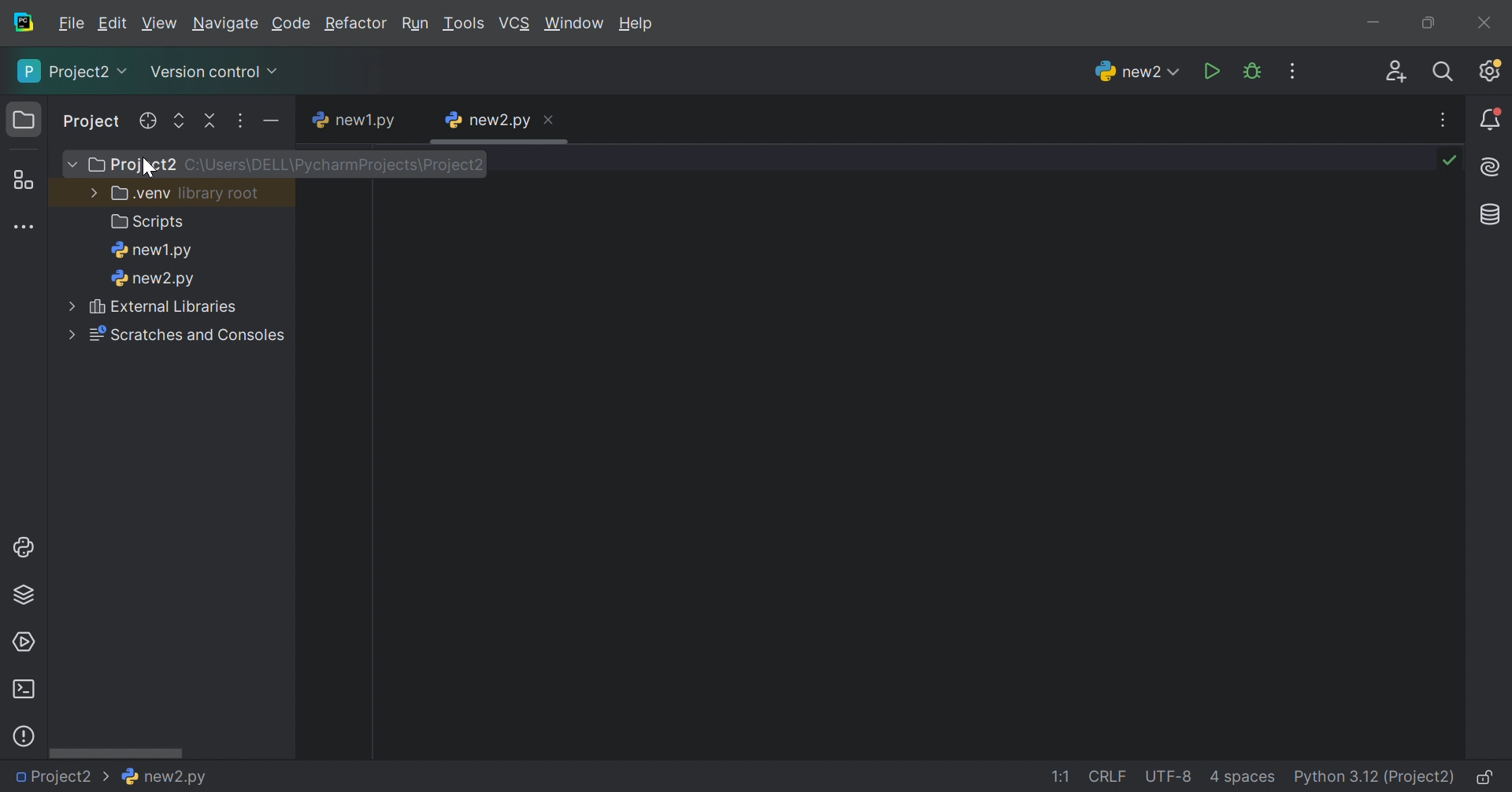 The image size is (1512, 792). What do you see at coordinates (71, 24) in the screenshot?
I see `File` at bounding box center [71, 24].